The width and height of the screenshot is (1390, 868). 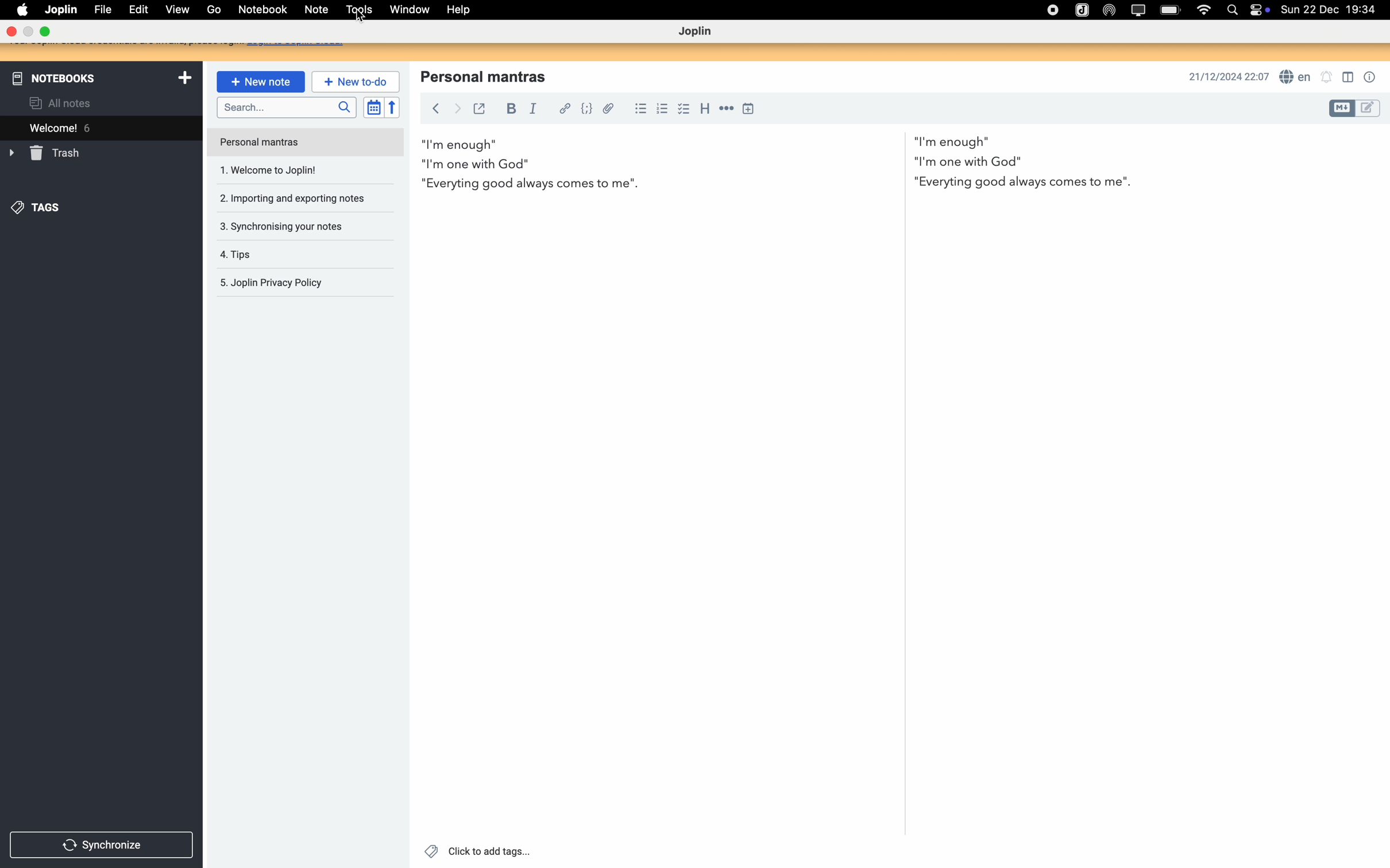 I want to click on view, so click(x=179, y=10).